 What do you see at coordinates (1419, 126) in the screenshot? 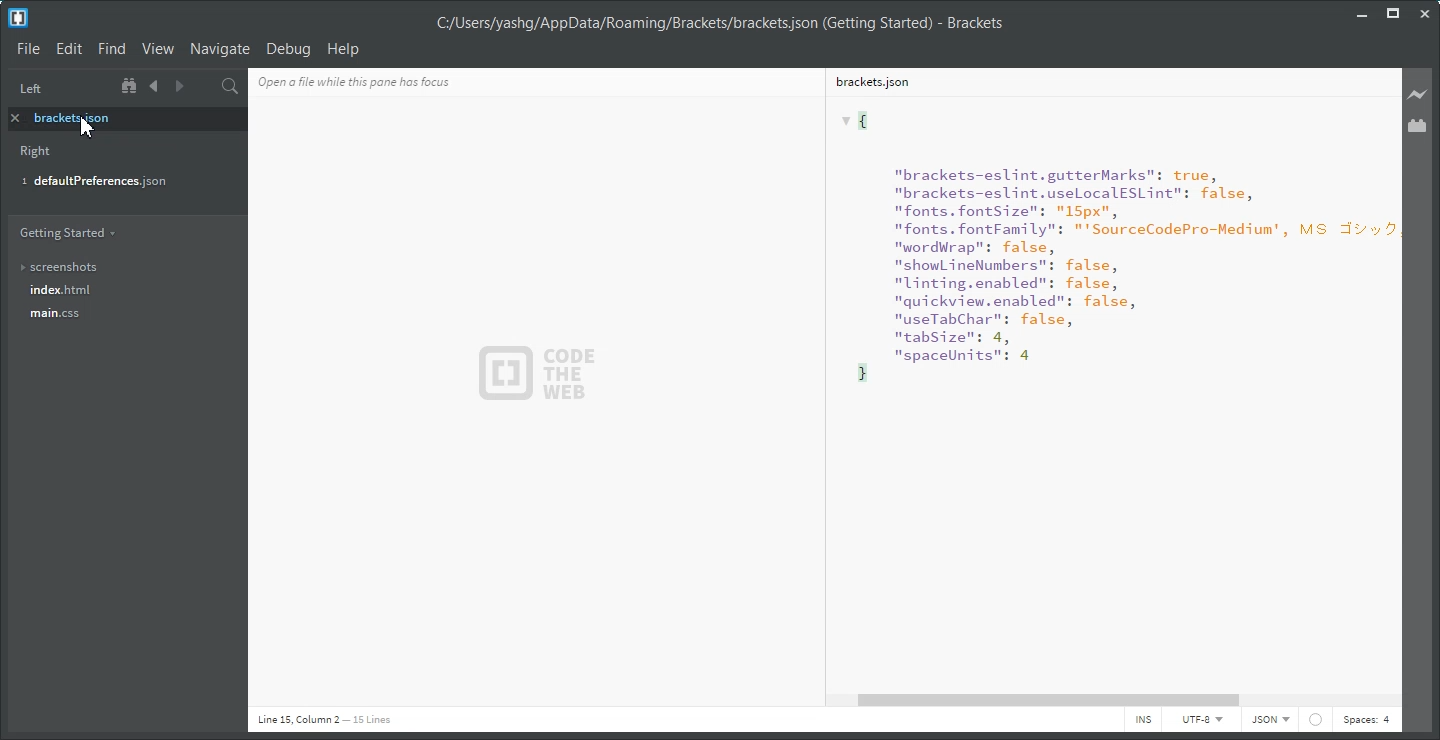
I see `Extension Manager` at bounding box center [1419, 126].